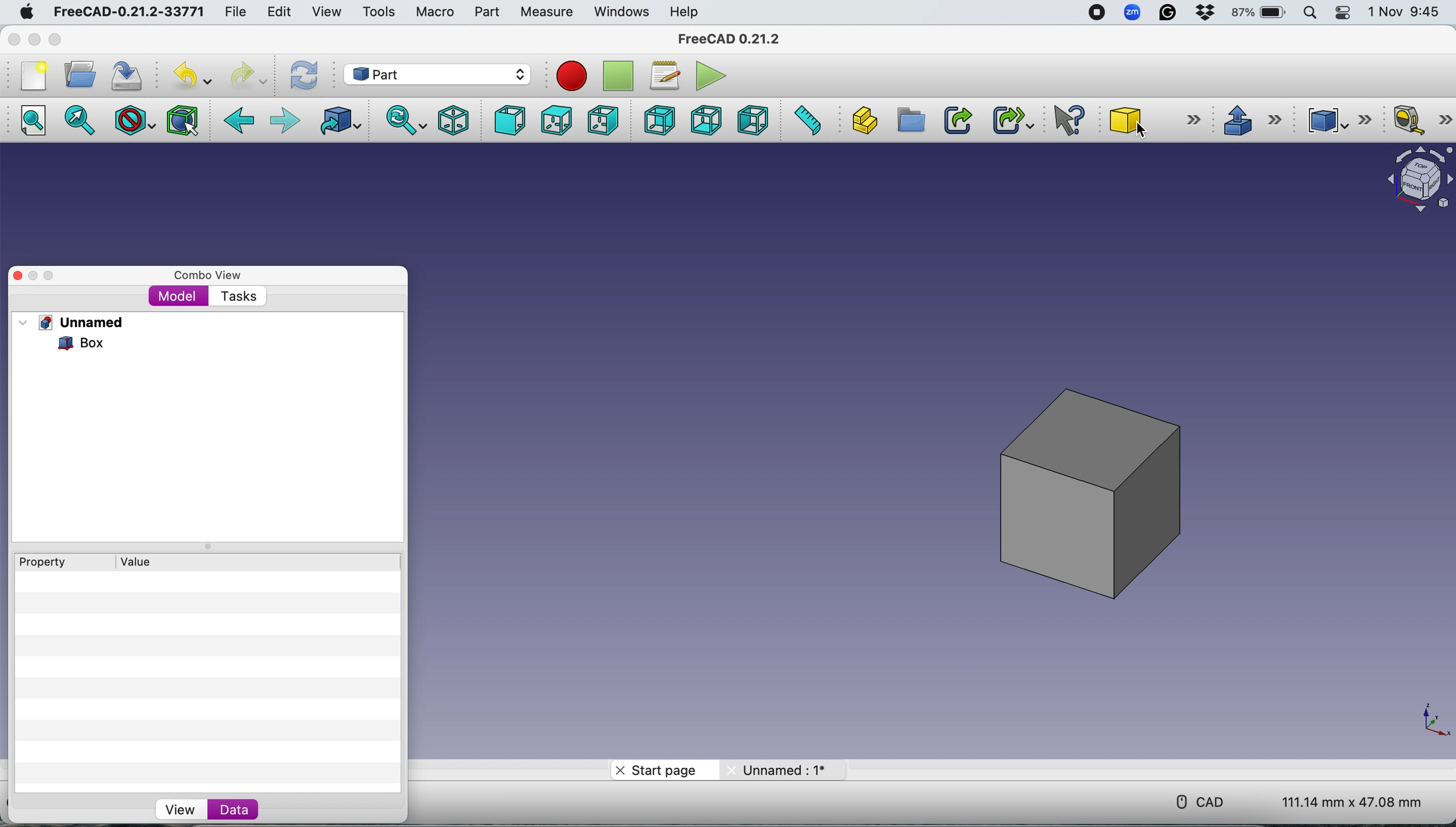 This screenshot has height=827, width=1456. Describe the element at coordinates (575, 77) in the screenshot. I see `Record macros` at that location.